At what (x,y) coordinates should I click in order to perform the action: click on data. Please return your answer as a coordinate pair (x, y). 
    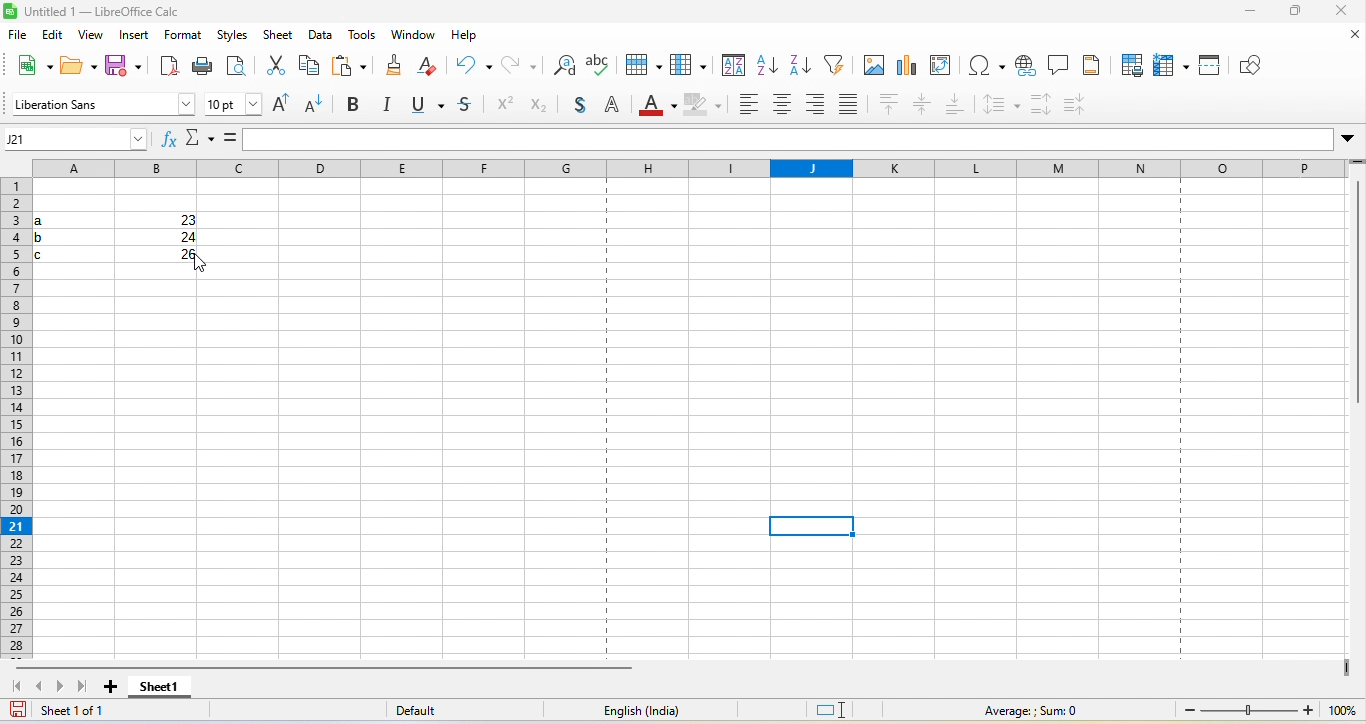
    Looking at the image, I should click on (319, 36).